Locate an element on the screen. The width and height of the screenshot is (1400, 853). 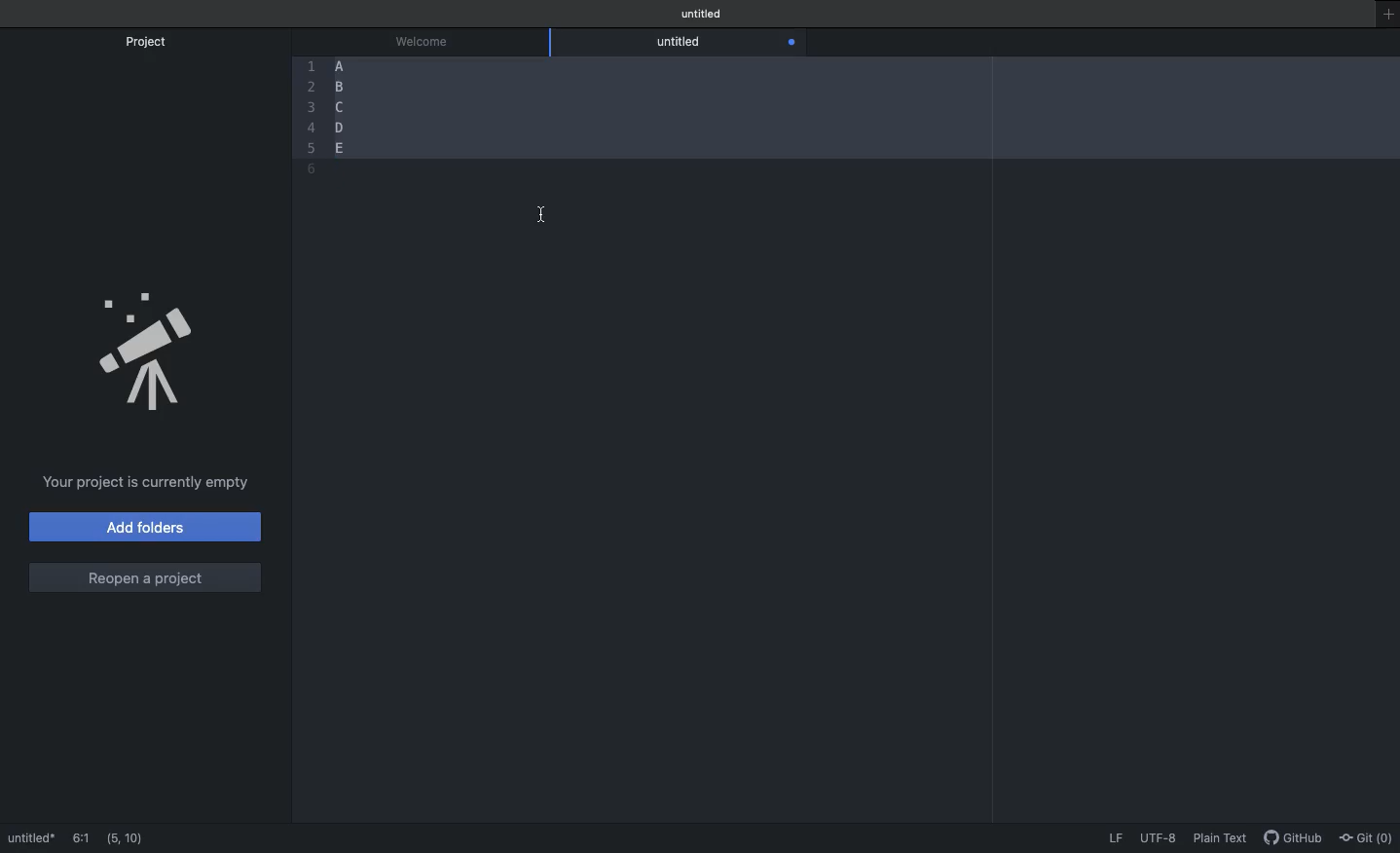
UTF-8 is located at coordinates (1161, 839).